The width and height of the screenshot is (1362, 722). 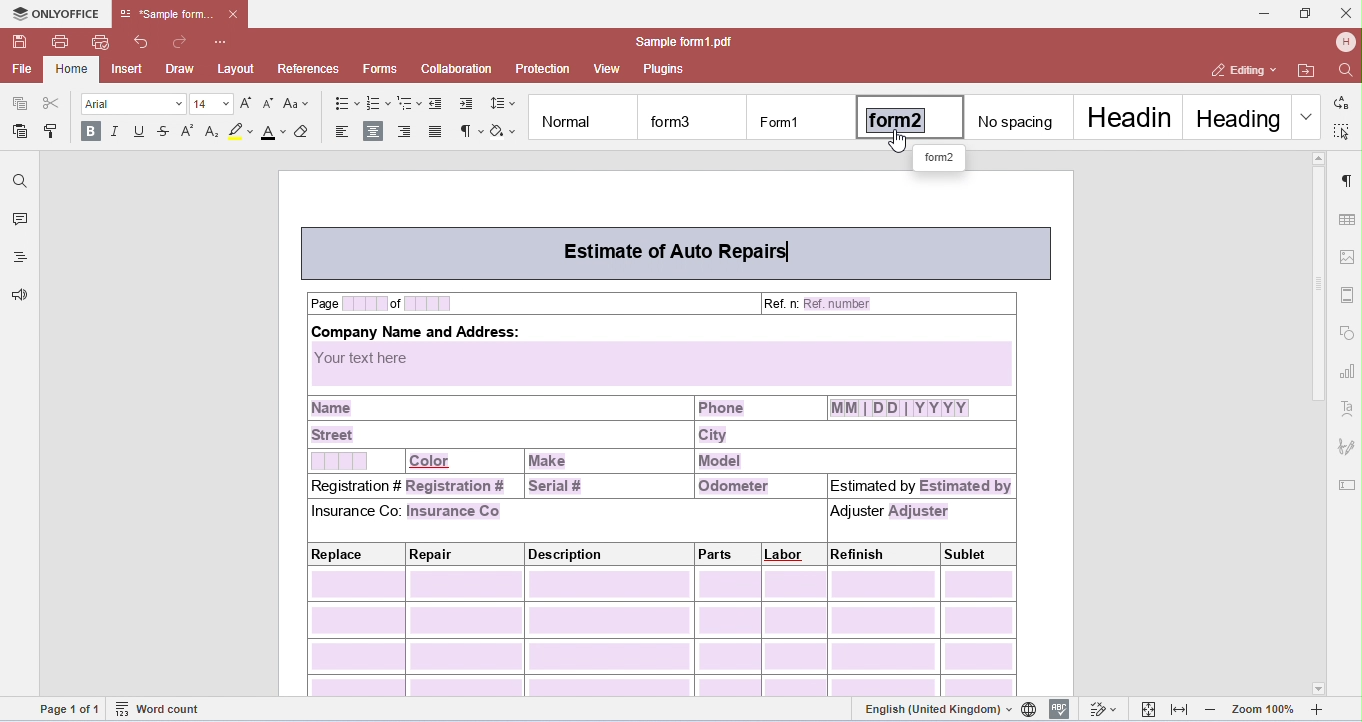 I want to click on header and footer, so click(x=1348, y=294).